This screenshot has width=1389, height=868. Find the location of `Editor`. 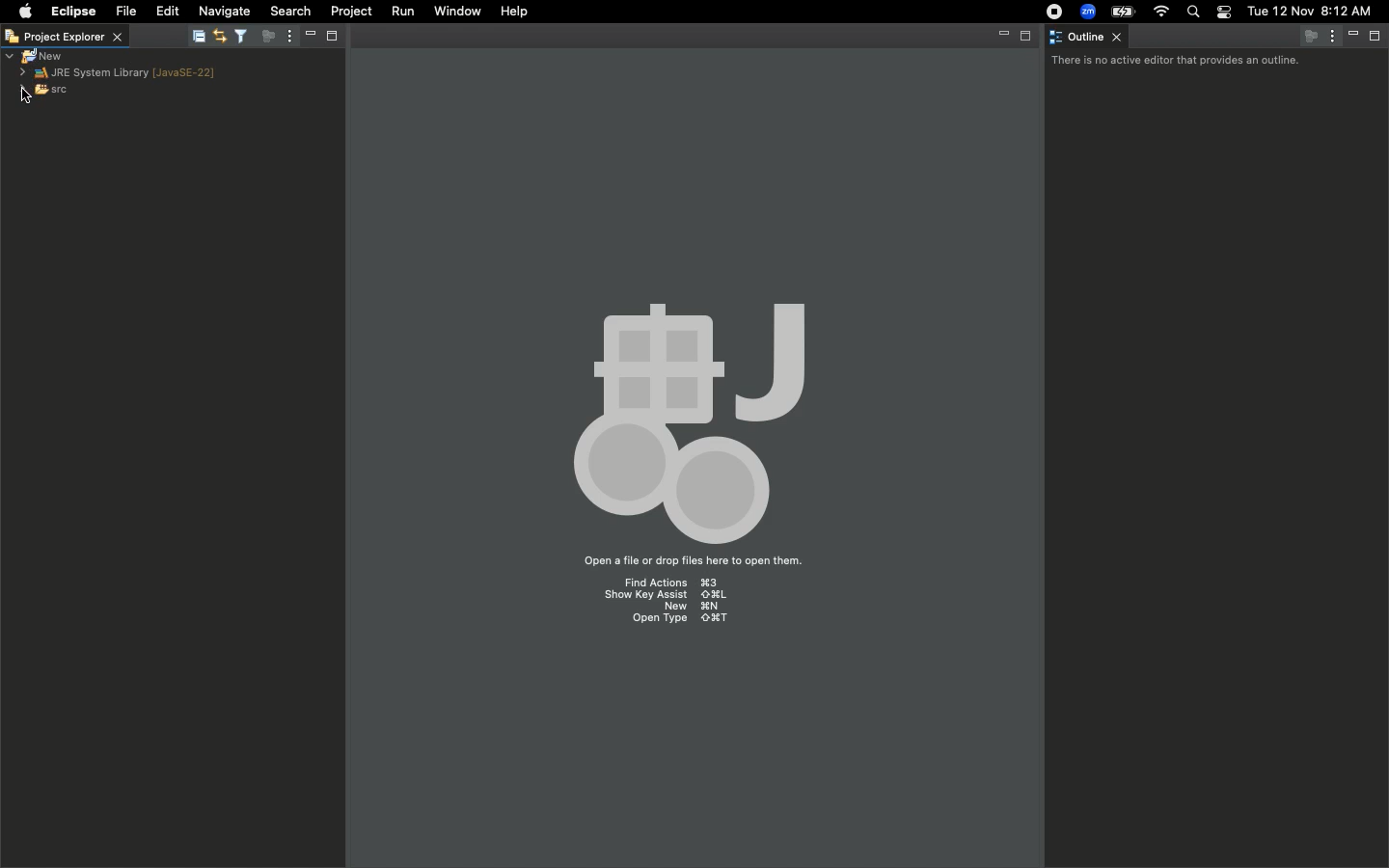

Editor is located at coordinates (219, 35).